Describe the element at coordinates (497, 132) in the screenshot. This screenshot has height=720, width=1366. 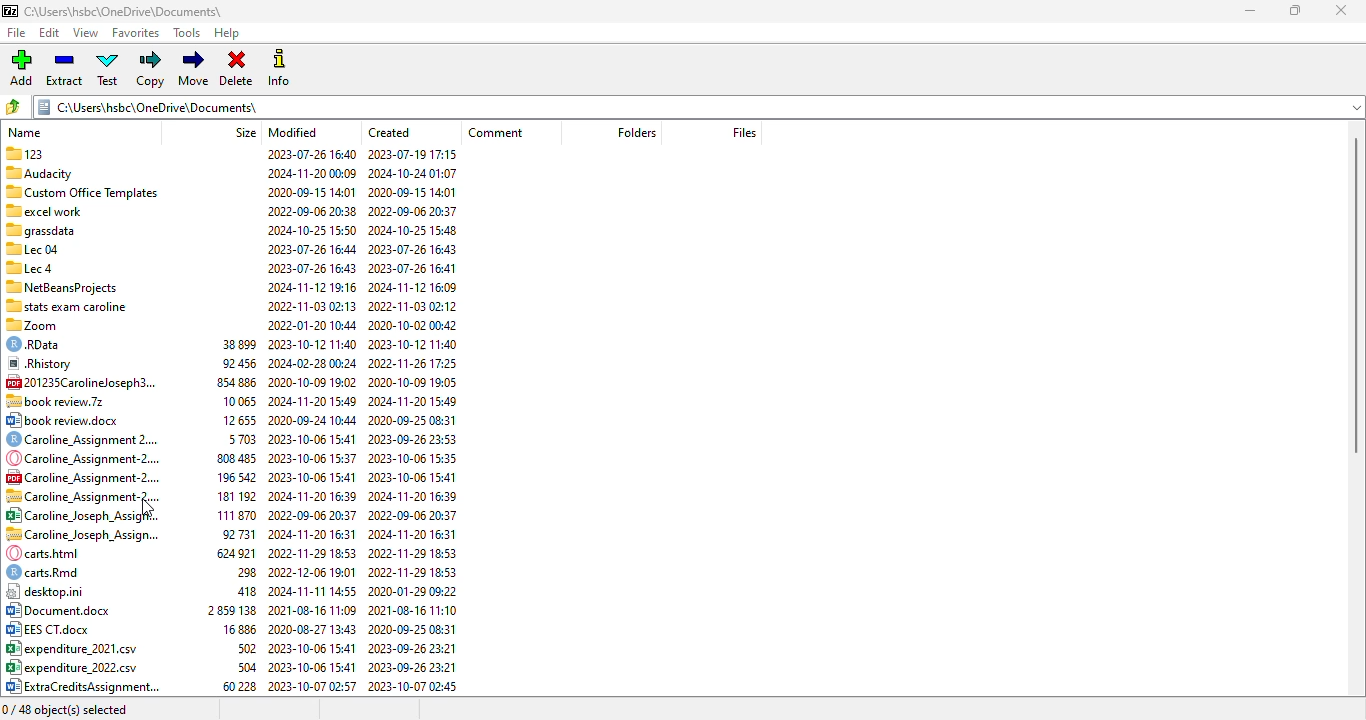
I see `comment` at that location.